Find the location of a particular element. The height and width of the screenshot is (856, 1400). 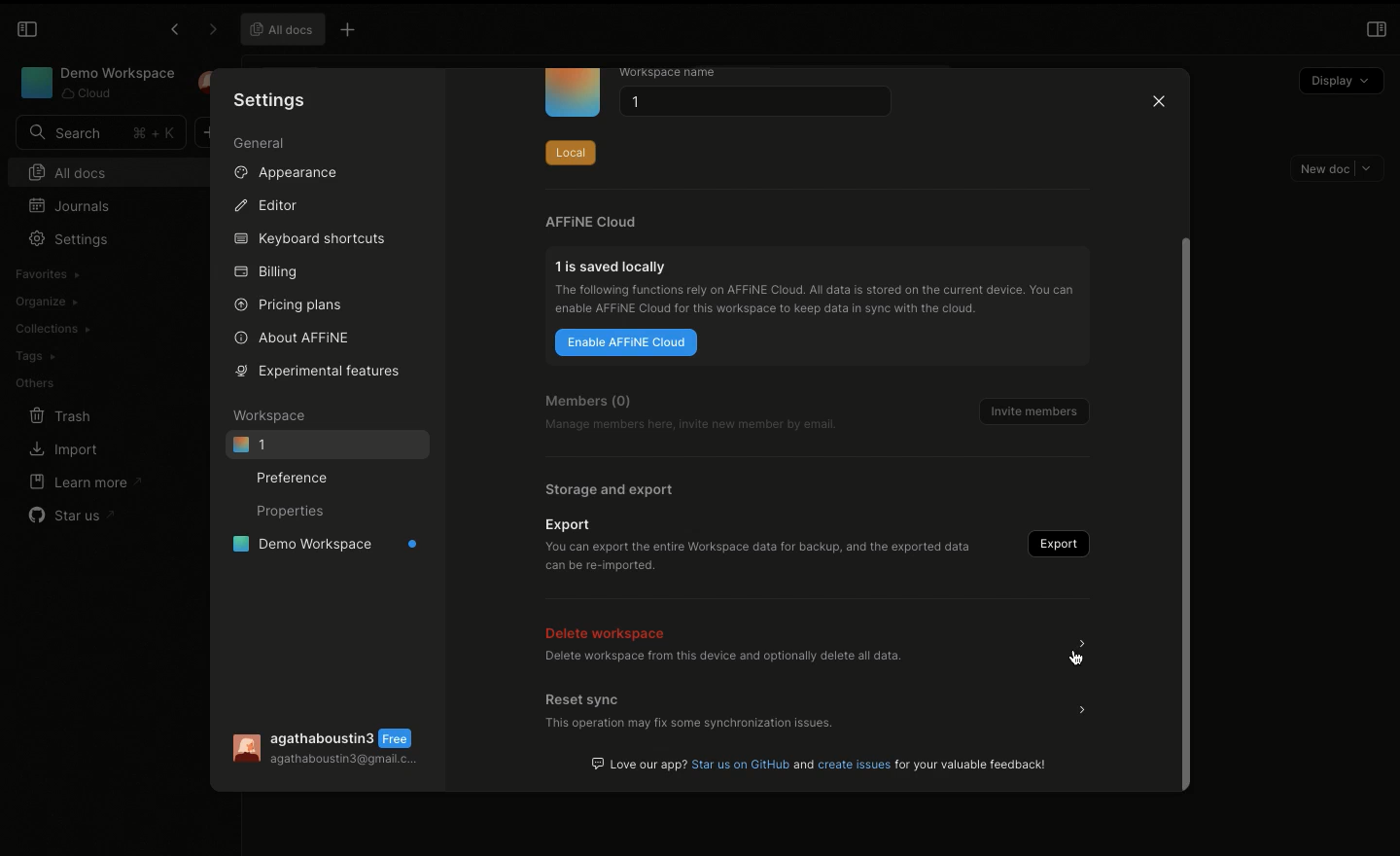

Favorites is located at coordinates (46, 274).